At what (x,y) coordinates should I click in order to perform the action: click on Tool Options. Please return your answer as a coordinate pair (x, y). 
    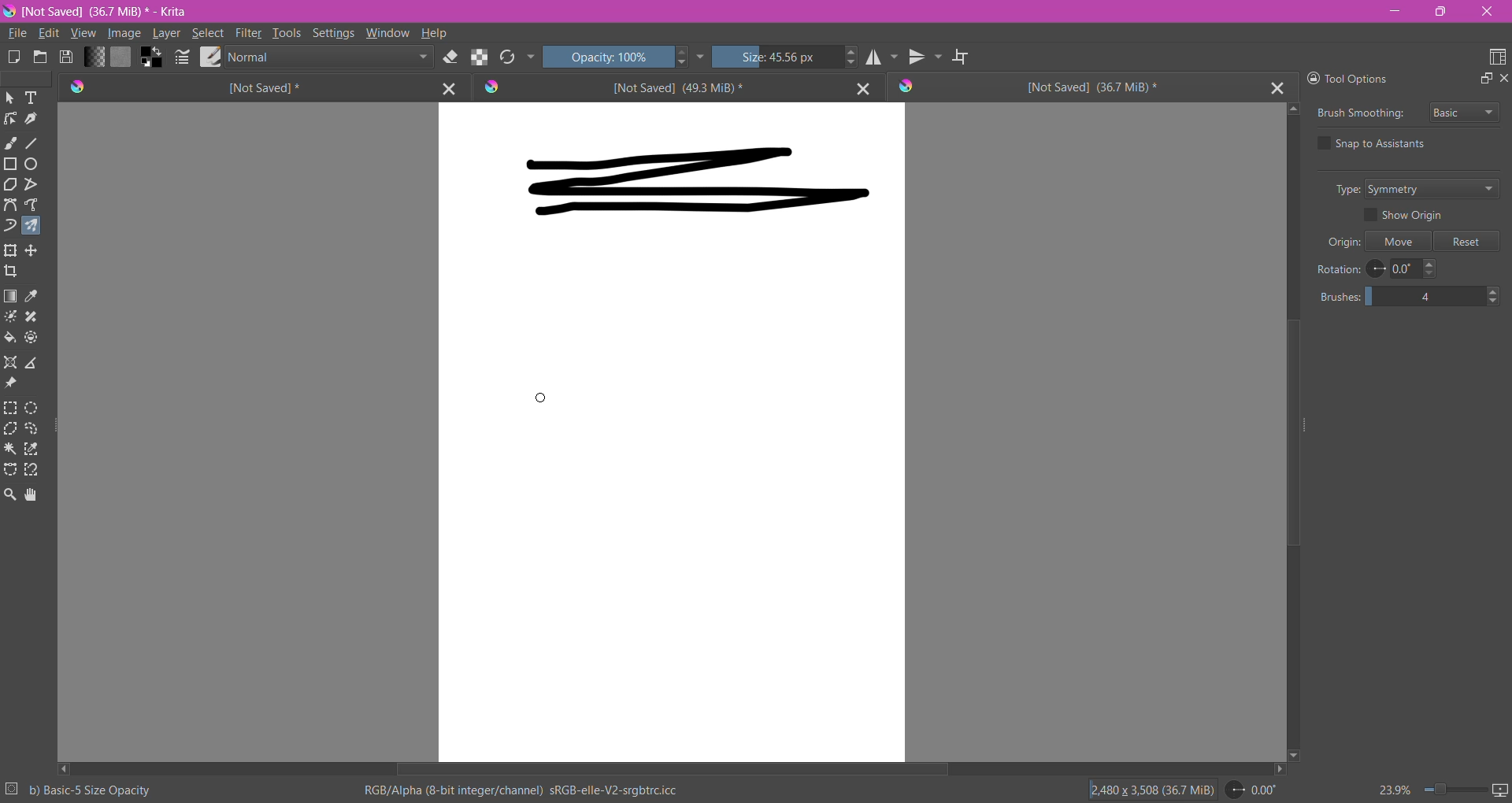
    Looking at the image, I should click on (1358, 77).